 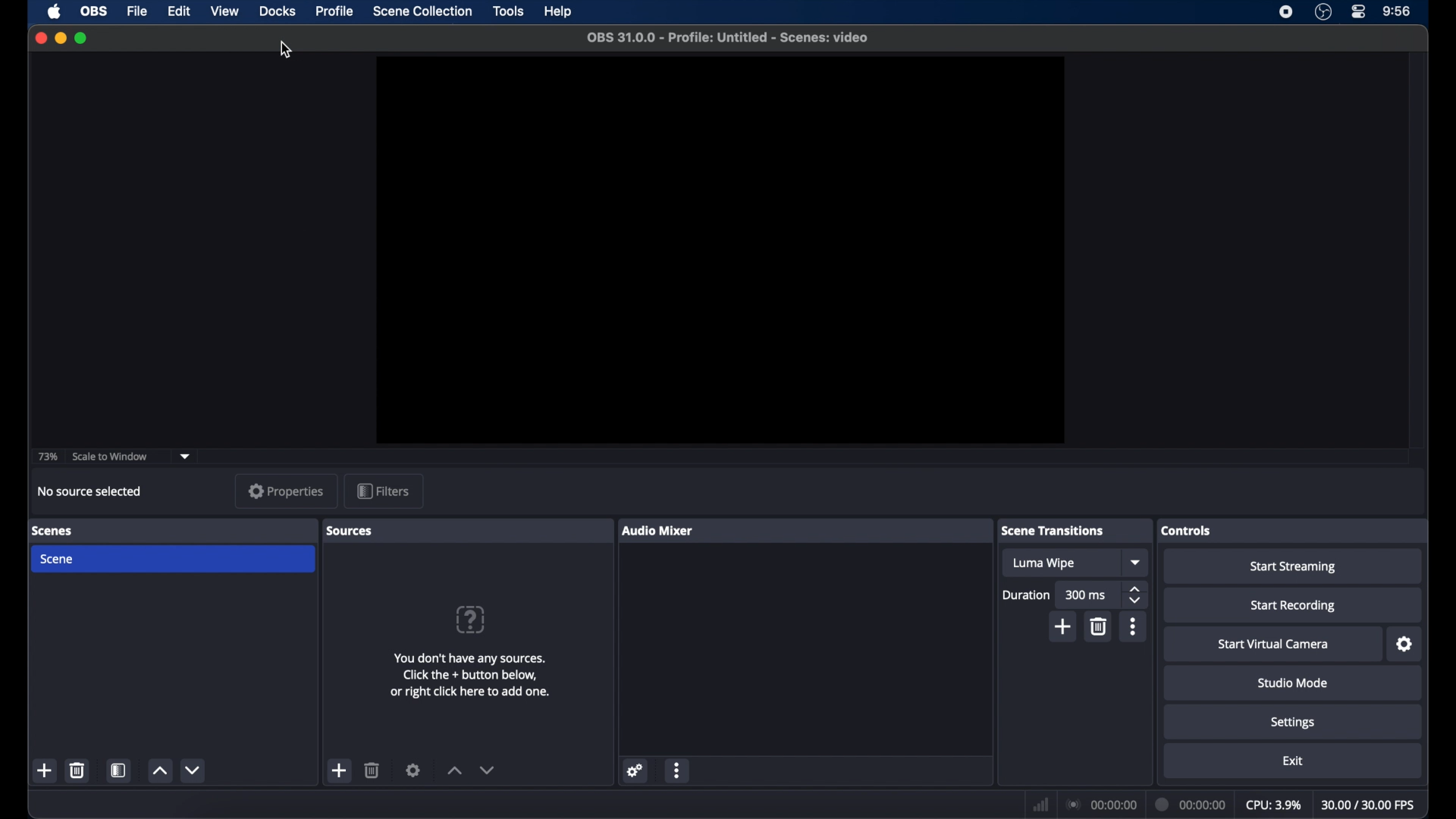 What do you see at coordinates (1293, 604) in the screenshot?
I see `start recording` at bounding box center [1293, 604].